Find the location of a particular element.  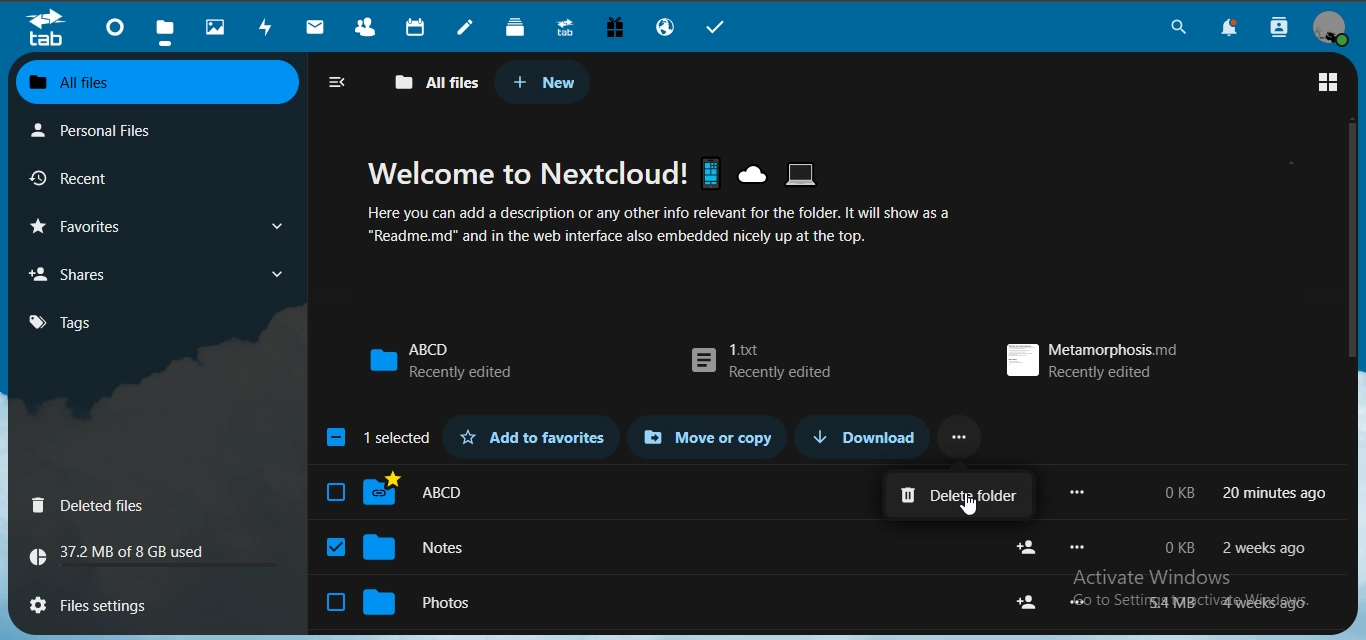

add to favorites is located at coordinates (534, 437).